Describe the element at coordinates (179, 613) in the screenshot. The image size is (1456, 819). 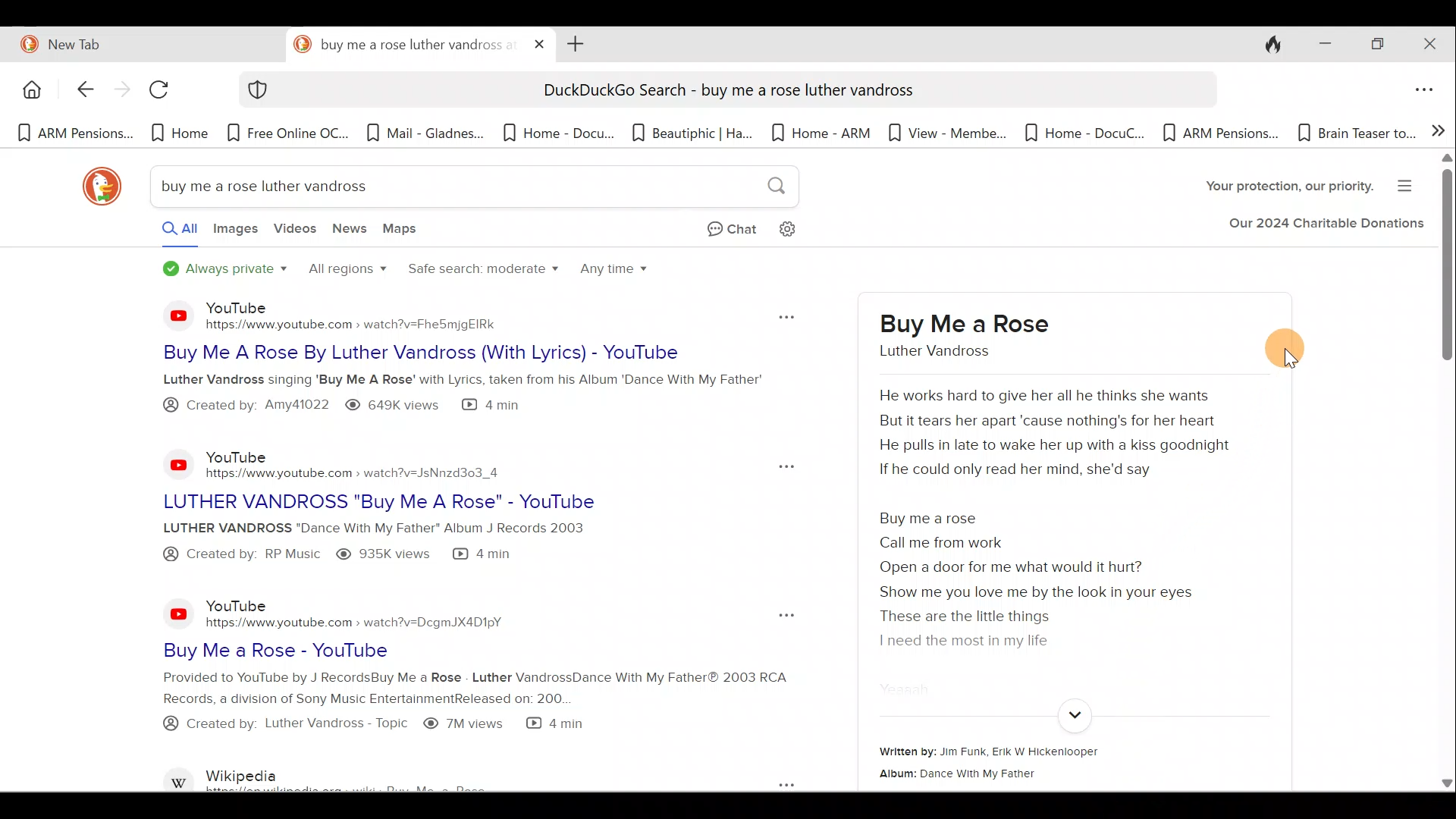
I see `YouTube logo` at that location.